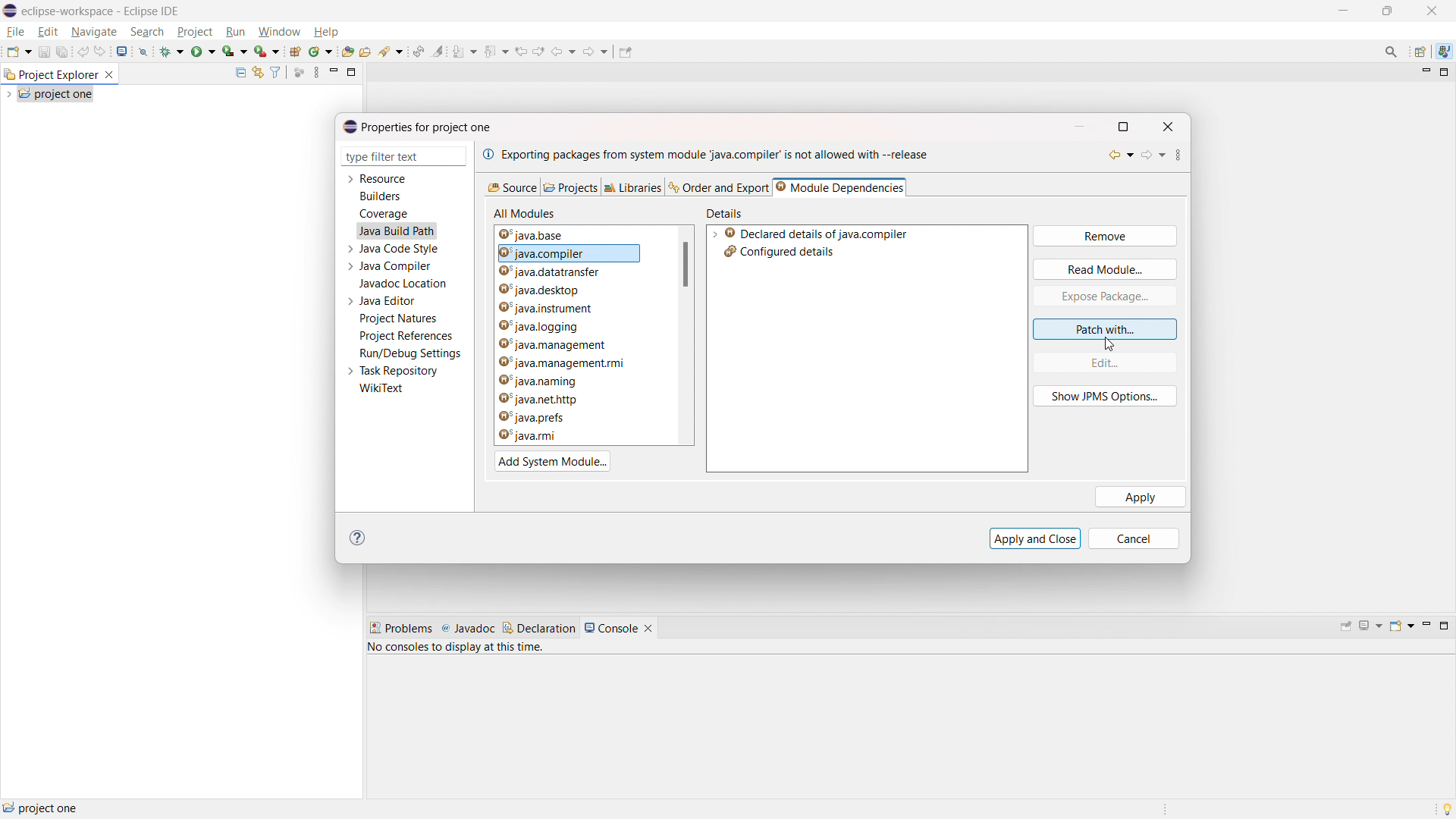 The width and height of the screenshot is (1456, 819). What do you see at coordinates (240, 72) in the screenshot?
I see `collapse all` at bounding box center [240, 72].